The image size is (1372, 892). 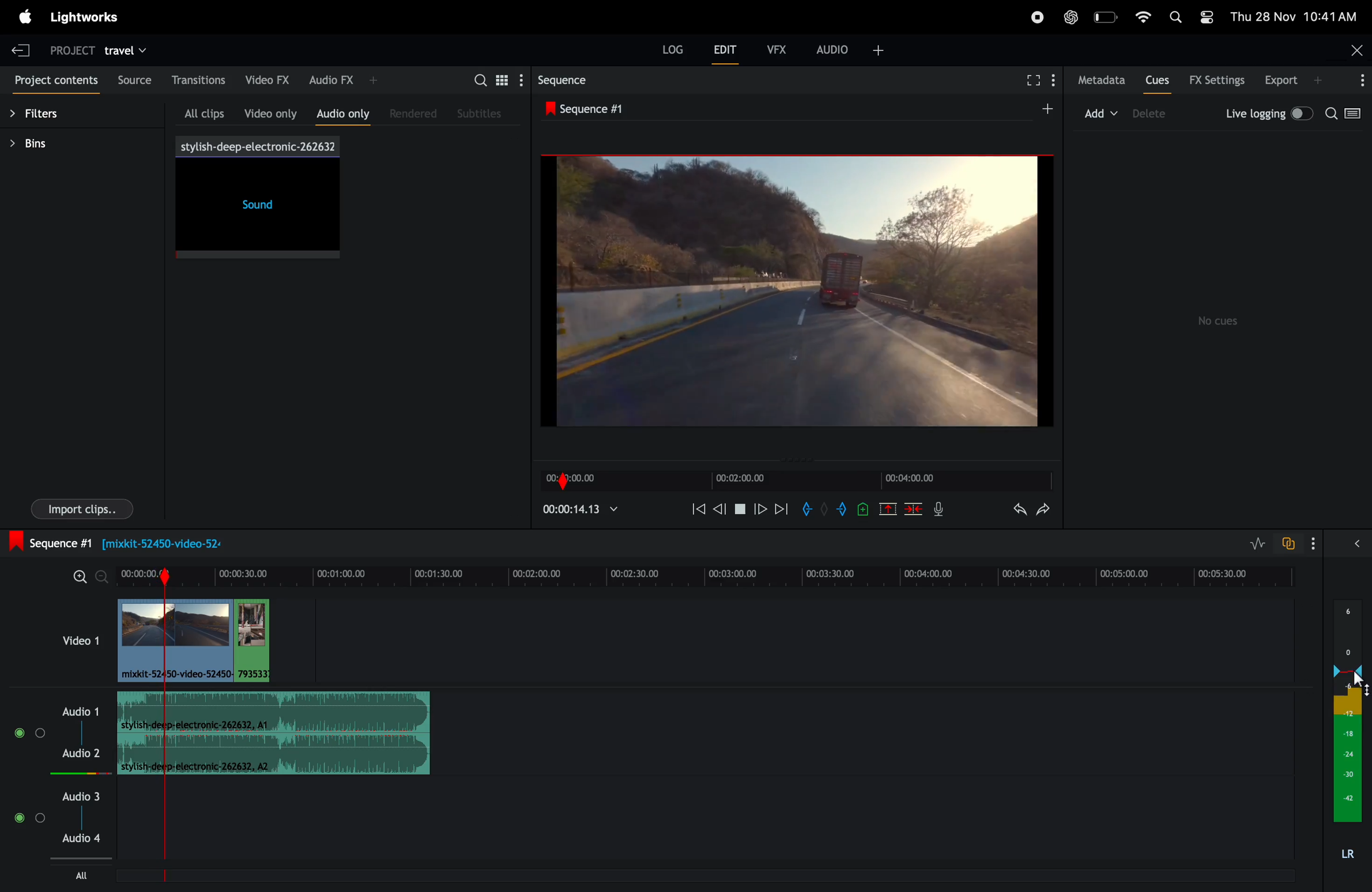 What do you see at coordinates (797, 289) in the screenshot?
I see `output screen` at bounding box center [797, 289].